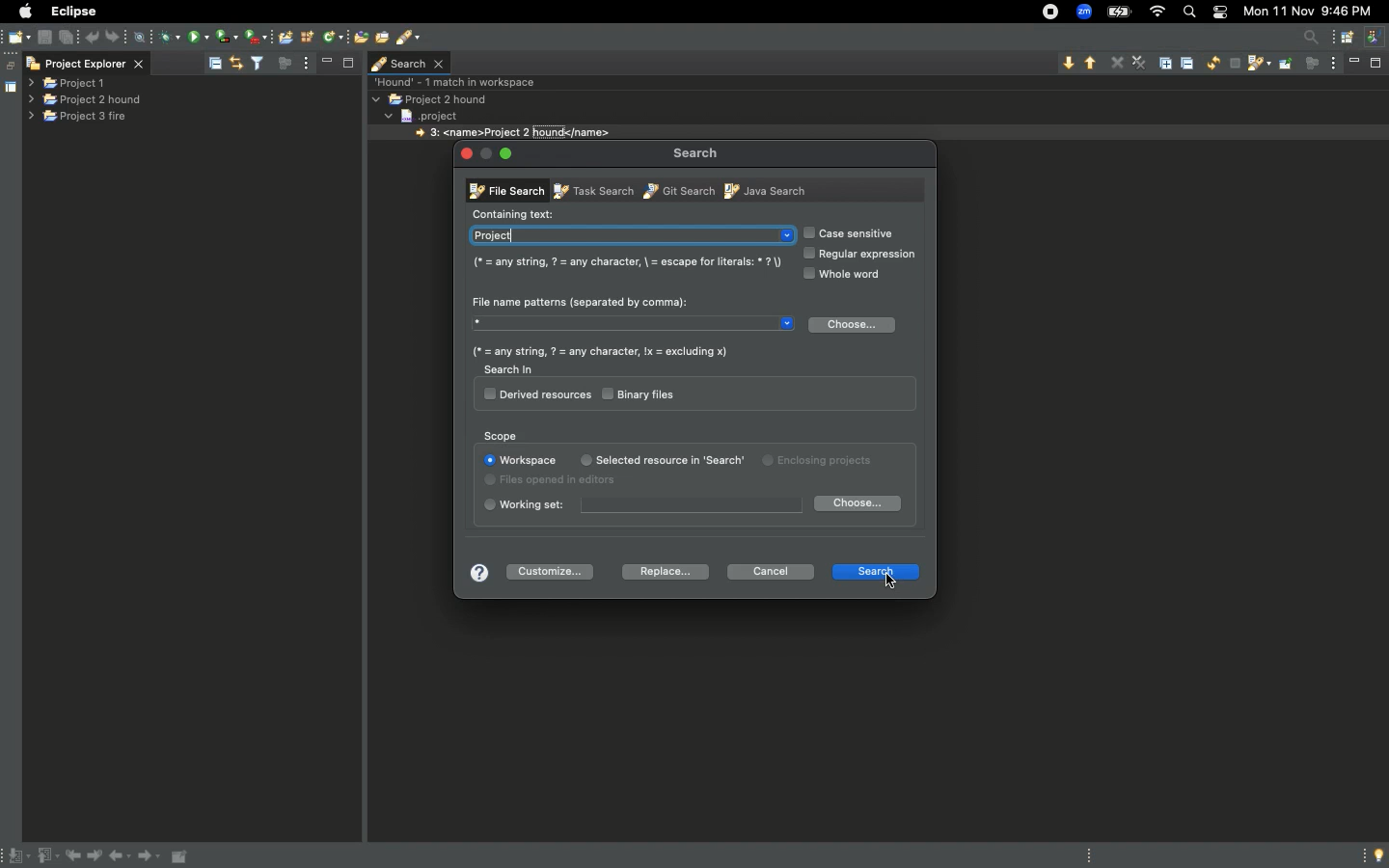  What do you see at coordinates (1312, 68) in the screenshot?
I see `focus on active activity` at bounding box center [1312, 68].